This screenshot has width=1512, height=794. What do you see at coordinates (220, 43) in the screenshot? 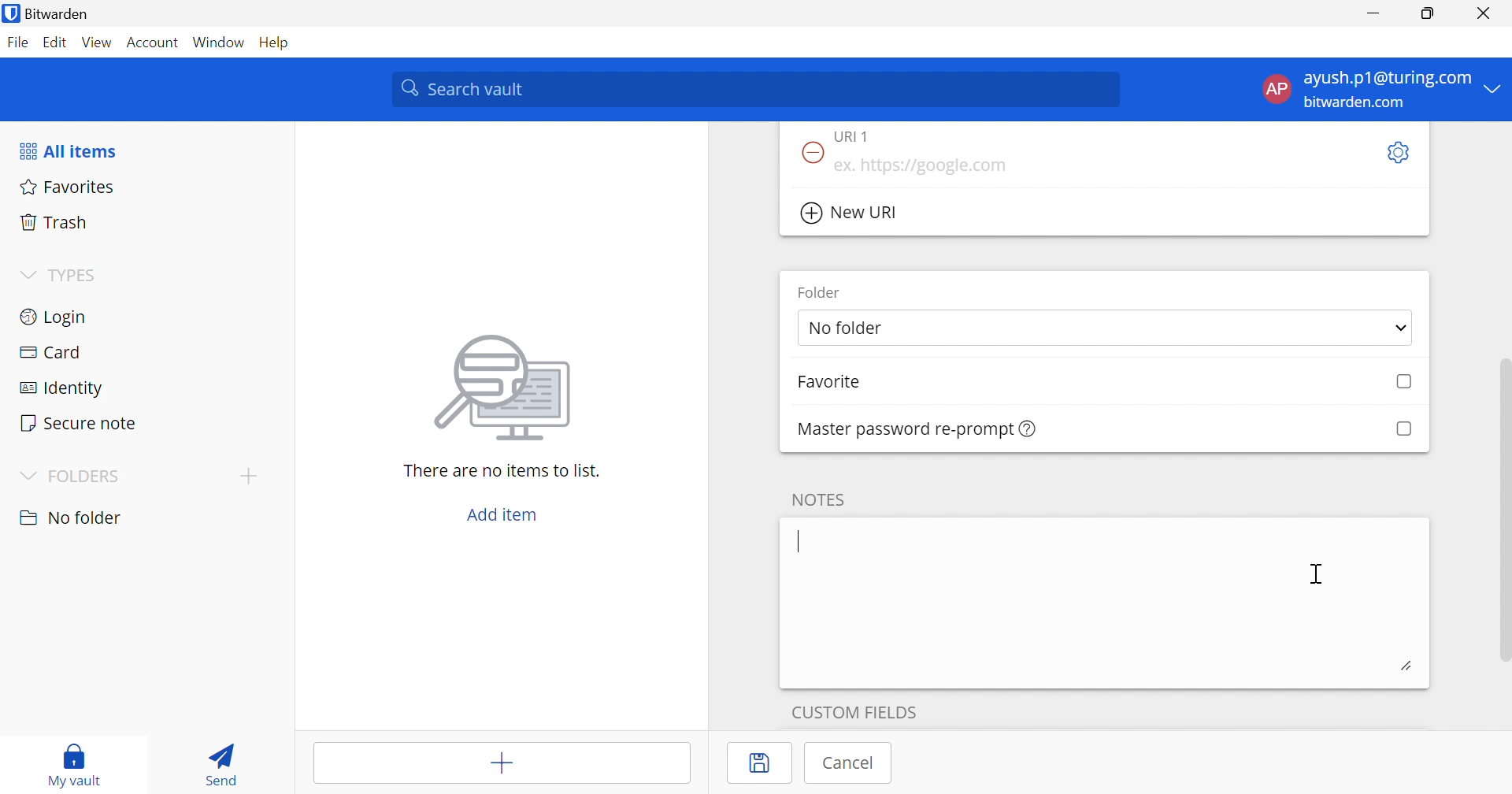
I see `Window` at bounding box center [220, 43].